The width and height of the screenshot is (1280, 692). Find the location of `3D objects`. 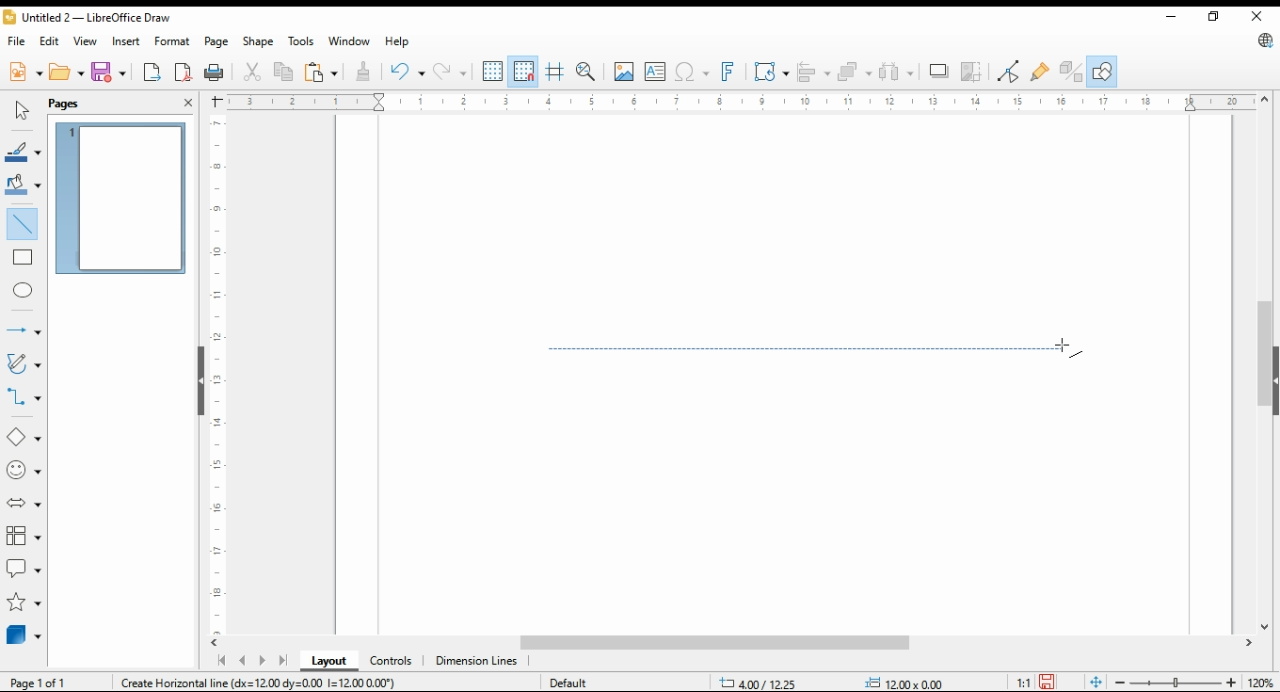

3D objects is located at coordinates (25, 634).